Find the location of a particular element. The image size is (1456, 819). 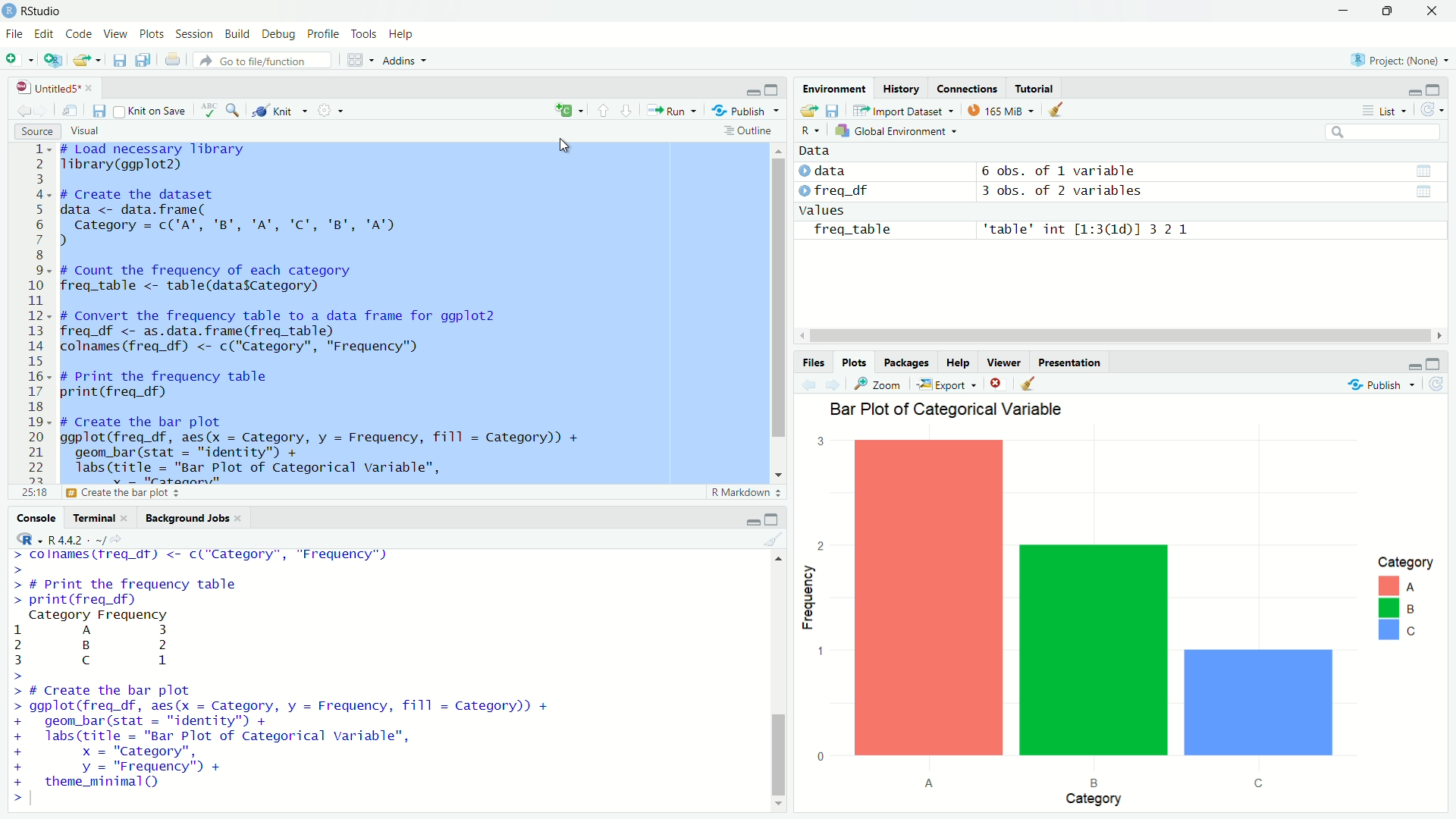

clear console is located at coordinates (781, 539).